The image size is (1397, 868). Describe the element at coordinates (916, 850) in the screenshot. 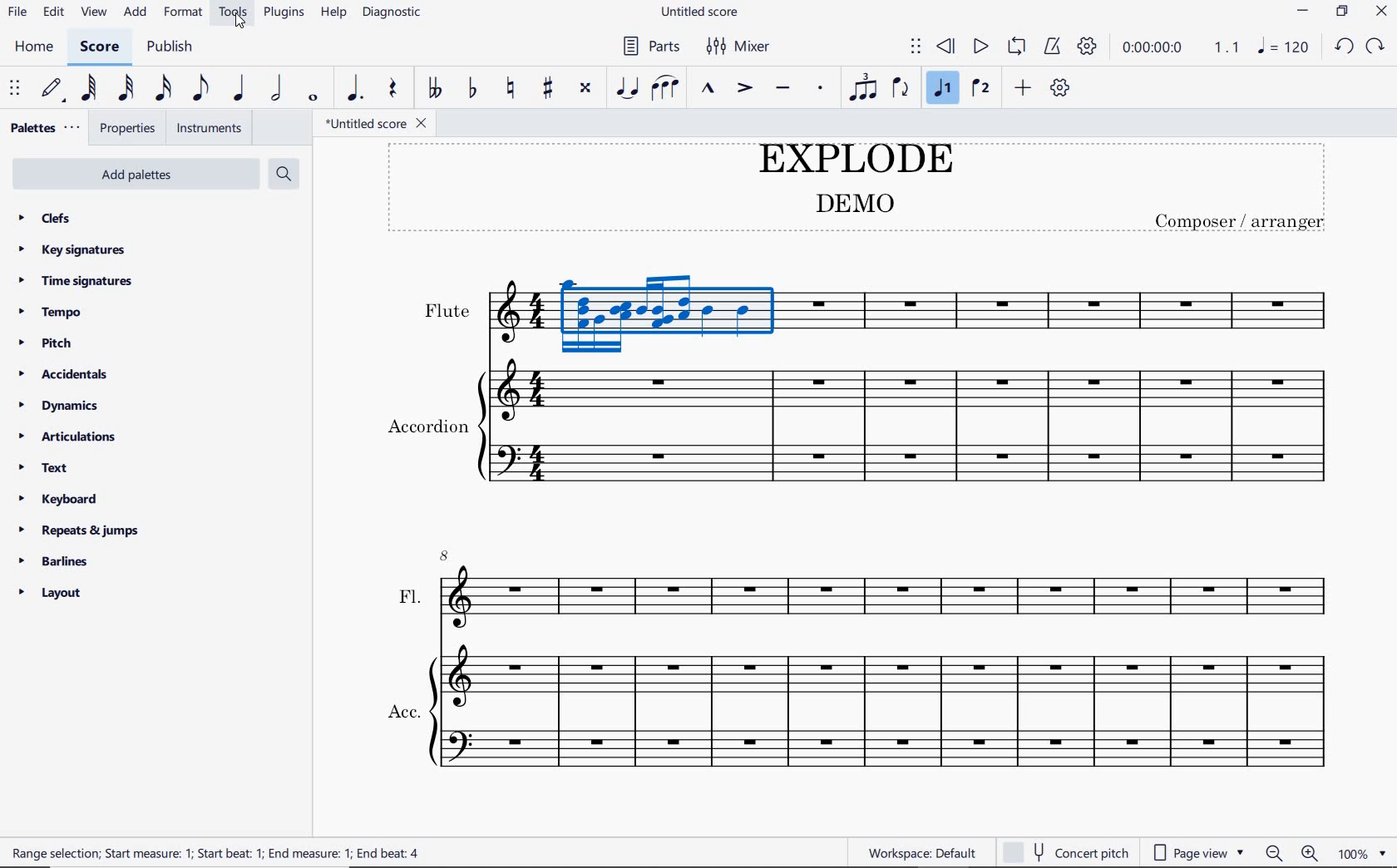

I see `workspace: default` at that location.